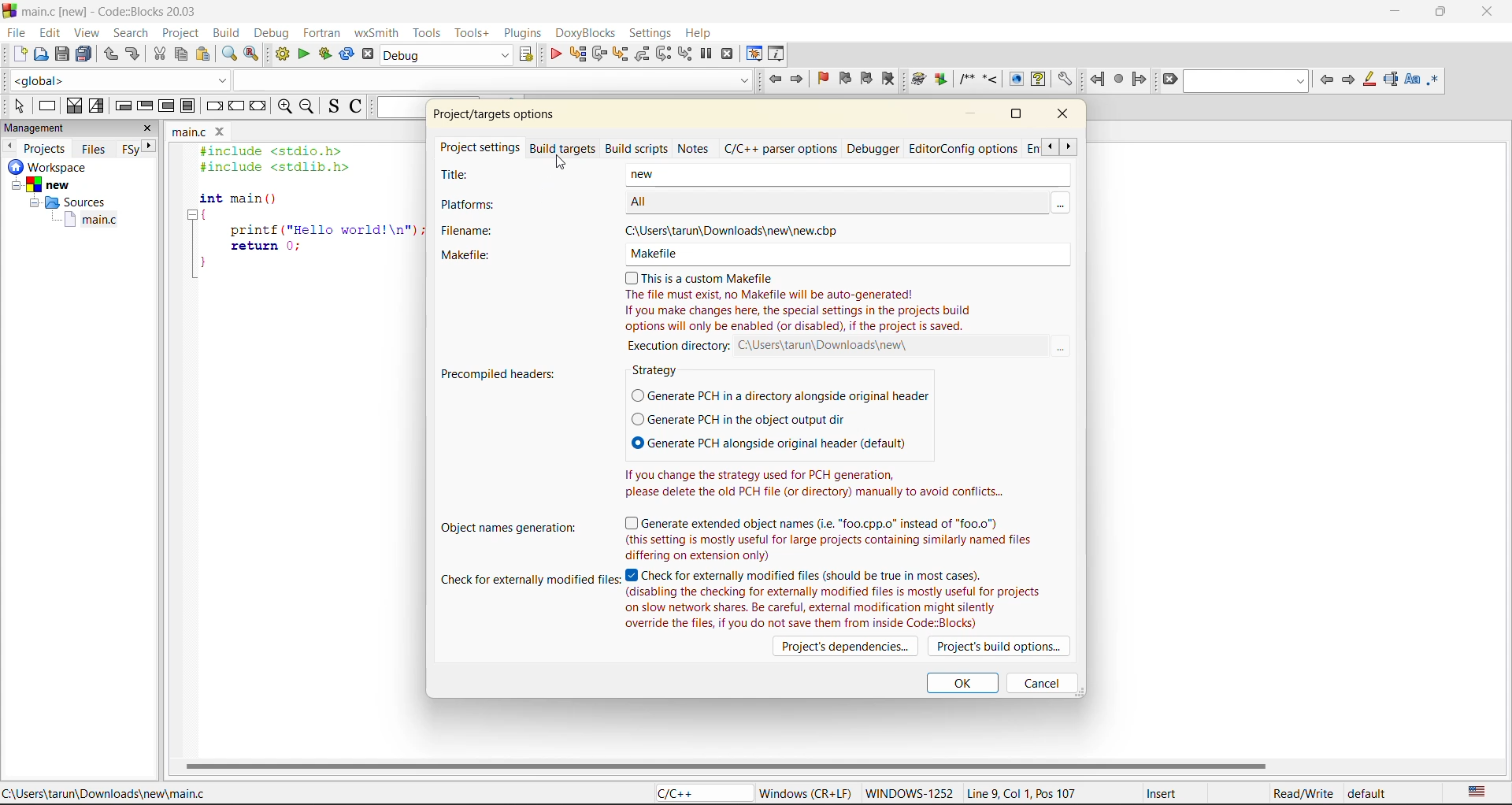 The width and height of the screenshot is (1512, 805). I want to click on next, so click(151, 146).